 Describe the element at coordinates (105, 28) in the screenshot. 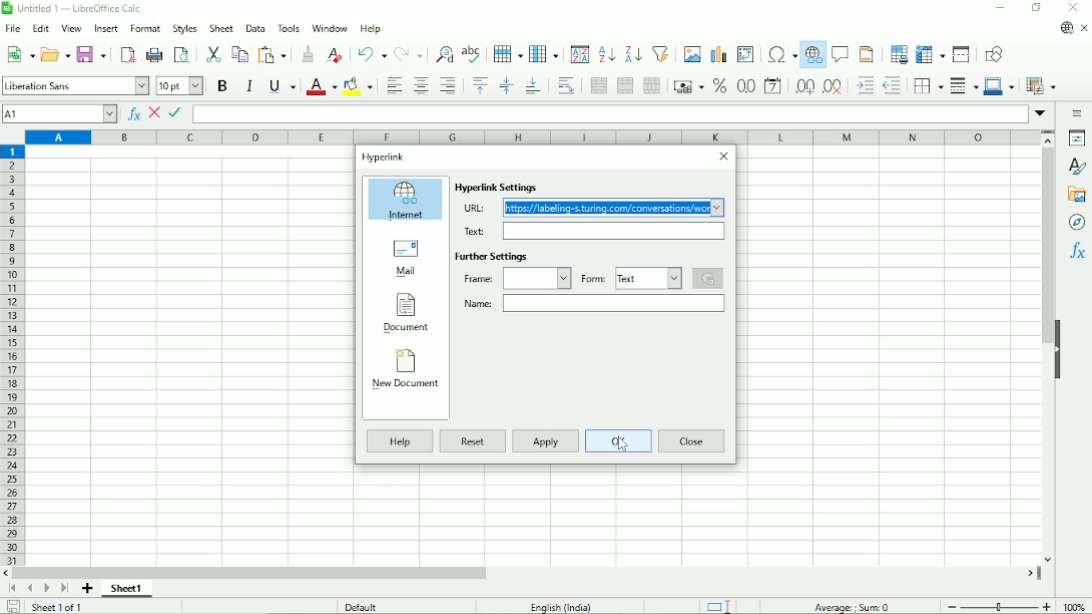

I see `Insert` at that location.